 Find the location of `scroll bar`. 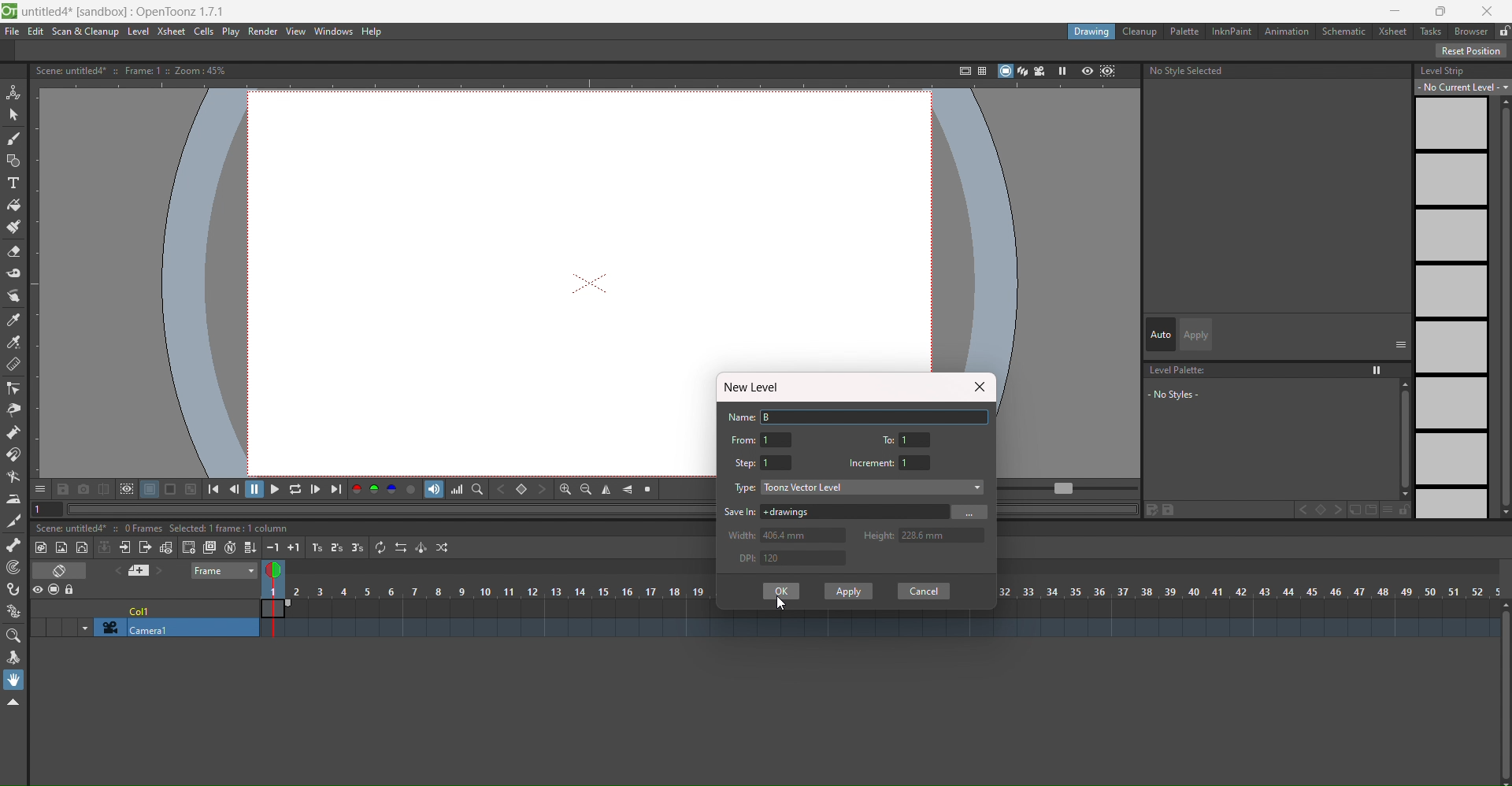

scroll bar is located at coordinates (1400, 439).